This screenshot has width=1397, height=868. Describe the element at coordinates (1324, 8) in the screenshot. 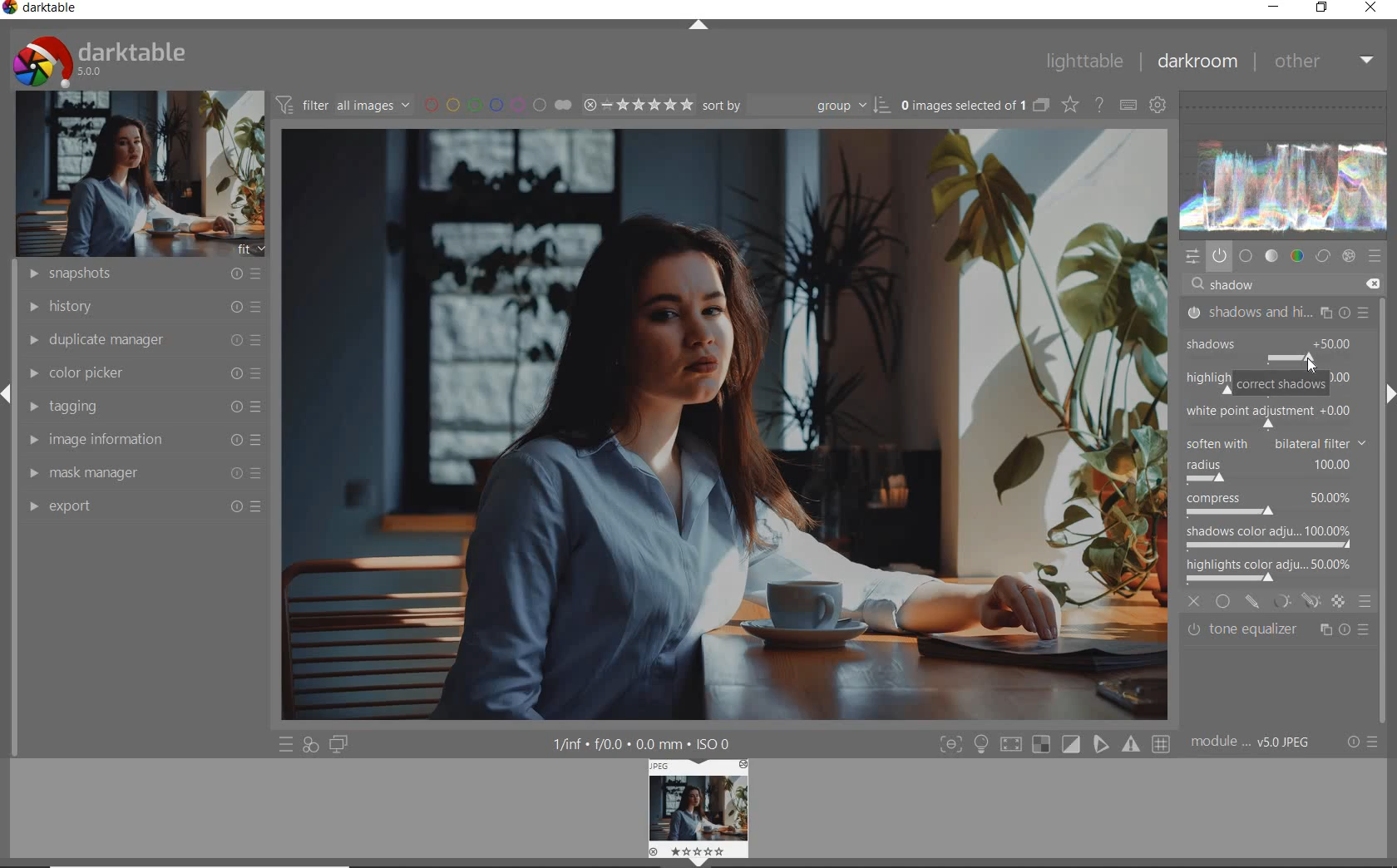

I see `restore` at that location.